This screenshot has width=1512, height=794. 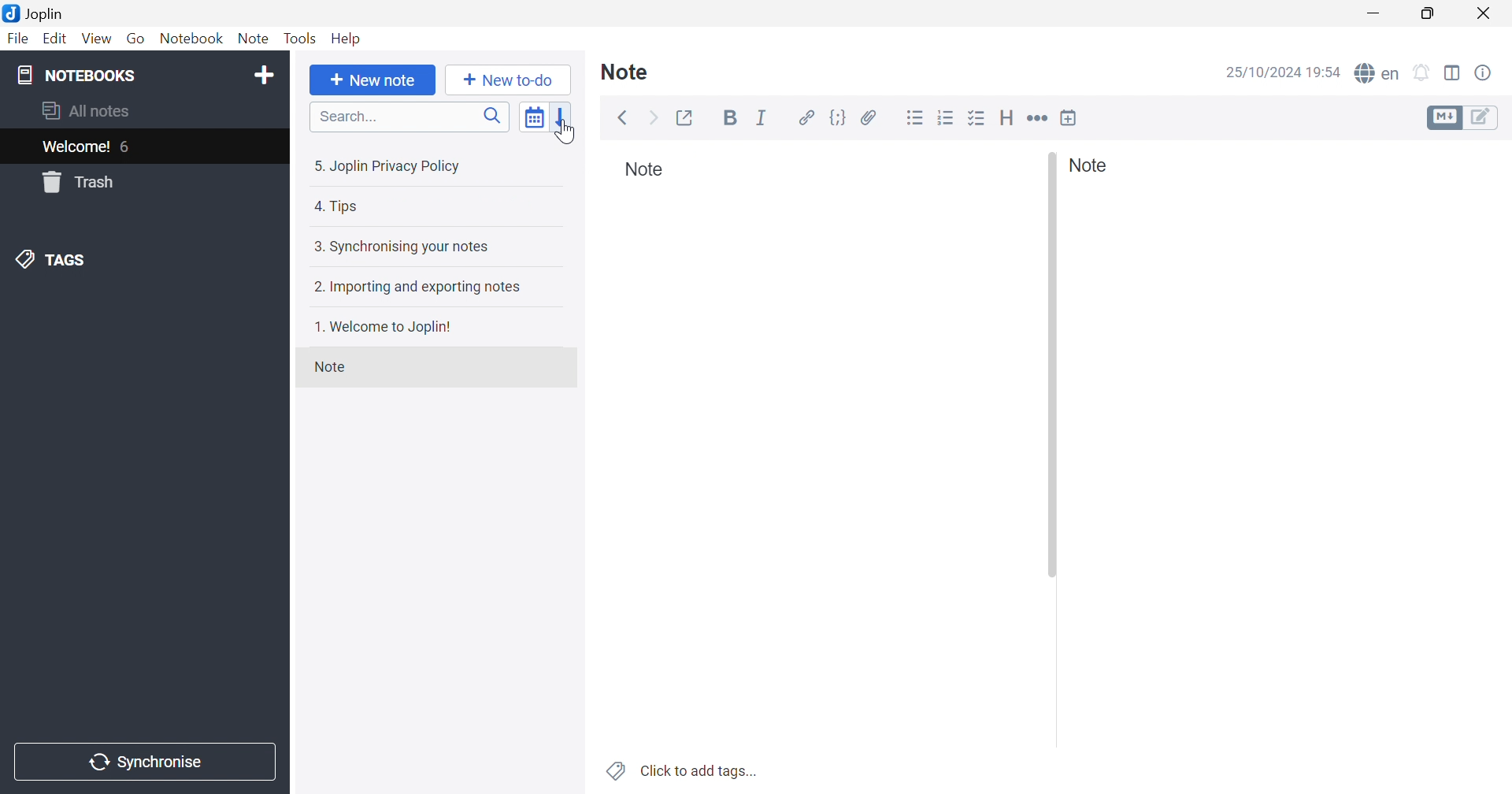 What do you see at coordinates (129, 148) in the screenshot?
I see `6` at bounding box center [129, 148].